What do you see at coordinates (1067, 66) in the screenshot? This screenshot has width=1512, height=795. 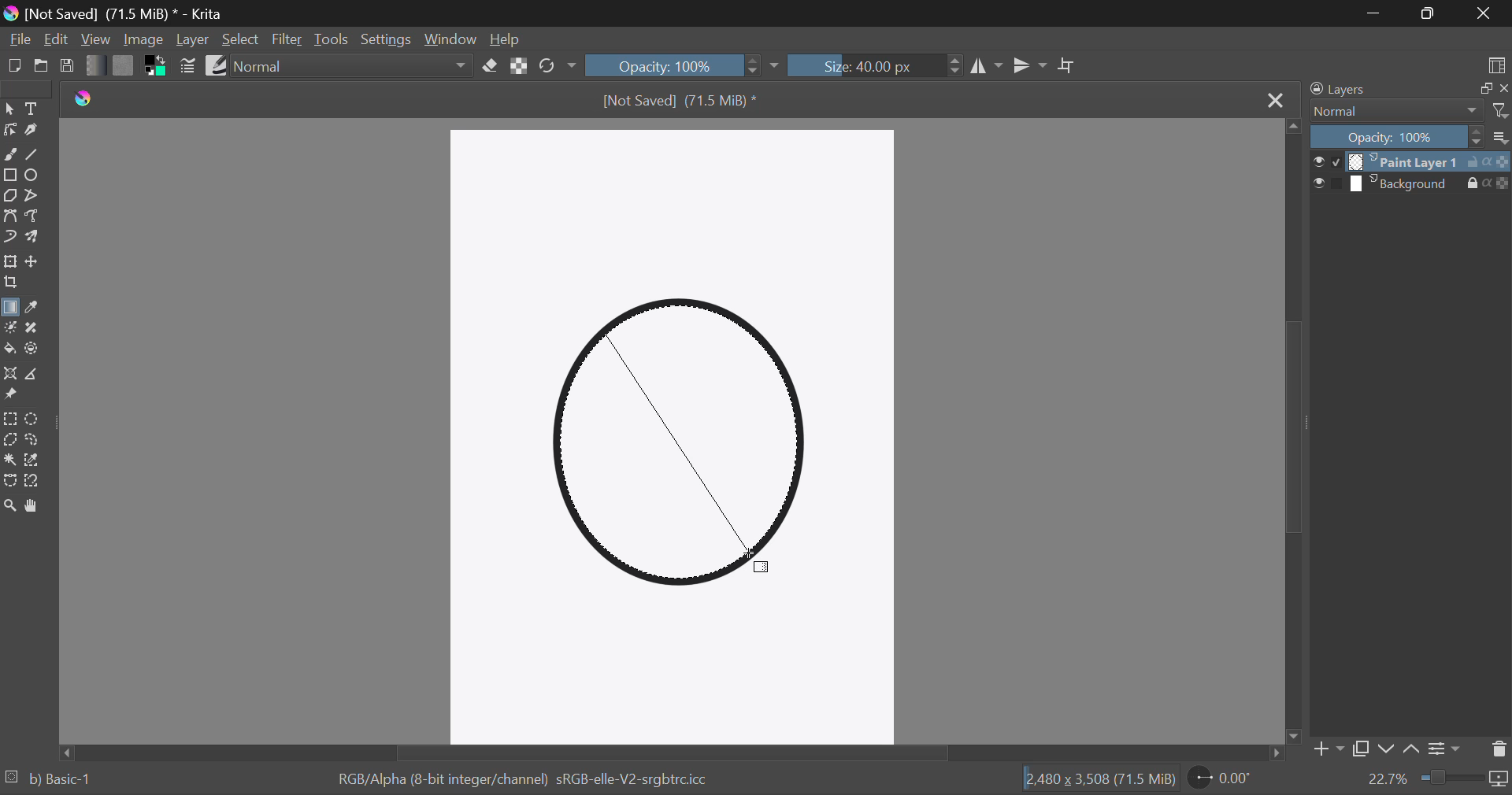 I see `Crop` at bounding box center [1067, 66].